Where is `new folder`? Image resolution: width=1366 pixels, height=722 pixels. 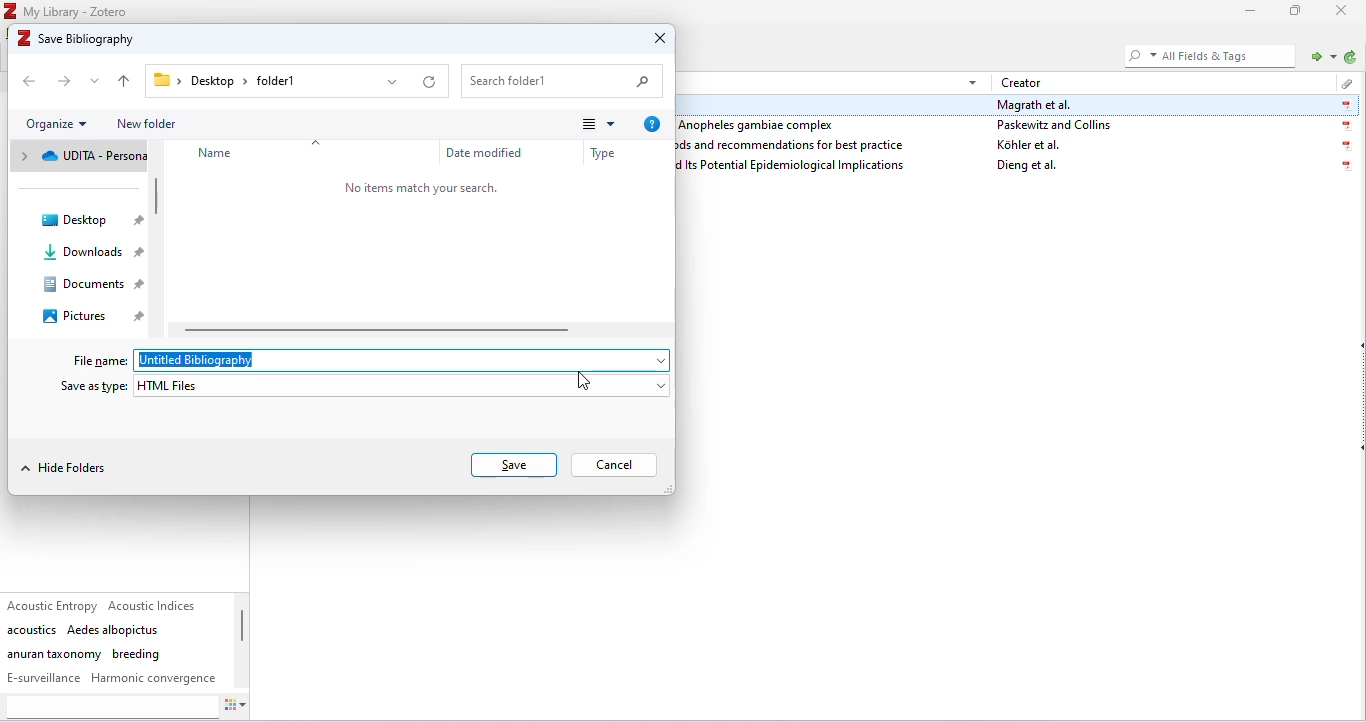 new folder is located at coordinates (148, 124).